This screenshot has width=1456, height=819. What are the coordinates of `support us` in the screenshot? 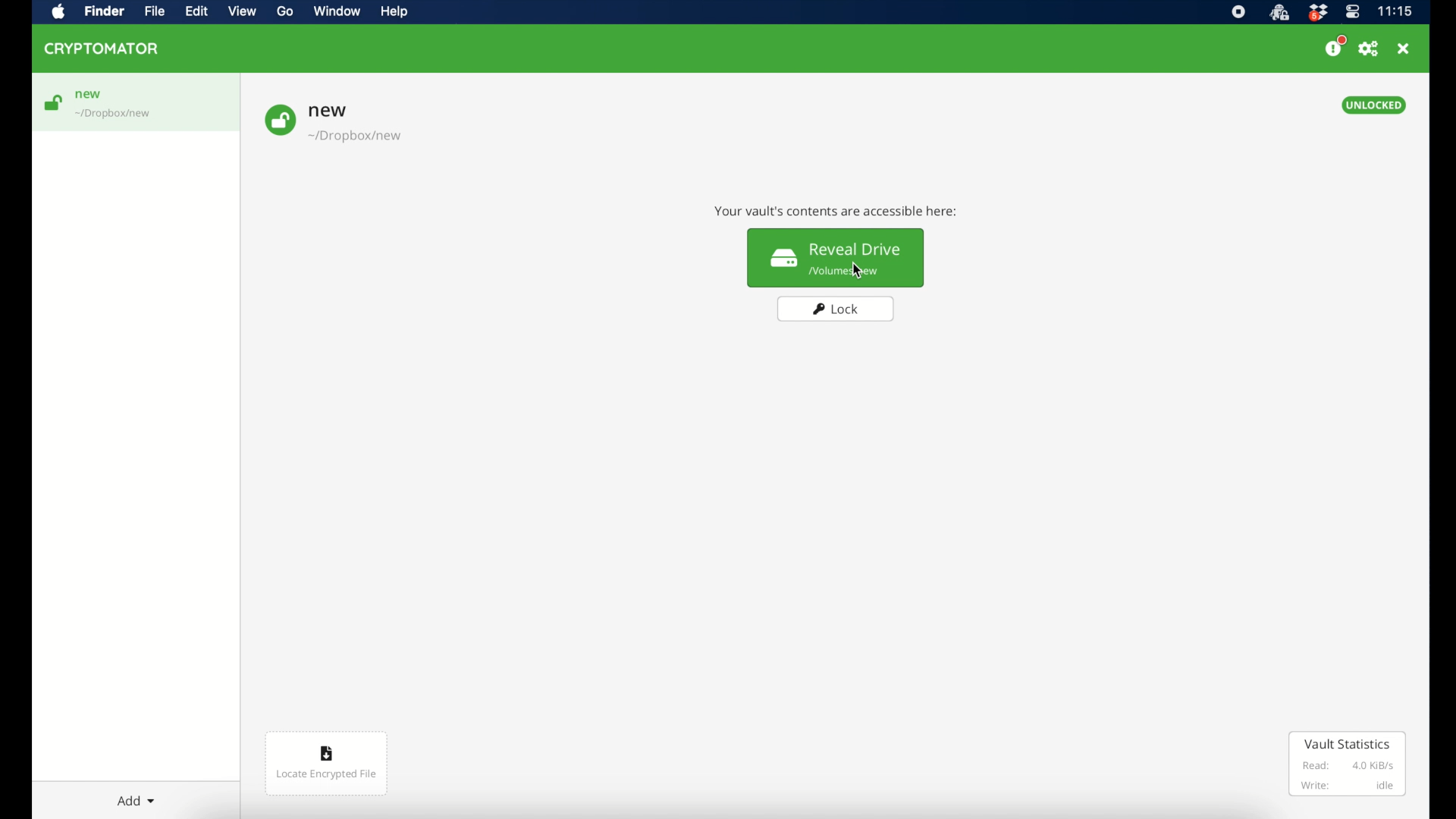 It's located at (1335, 46).